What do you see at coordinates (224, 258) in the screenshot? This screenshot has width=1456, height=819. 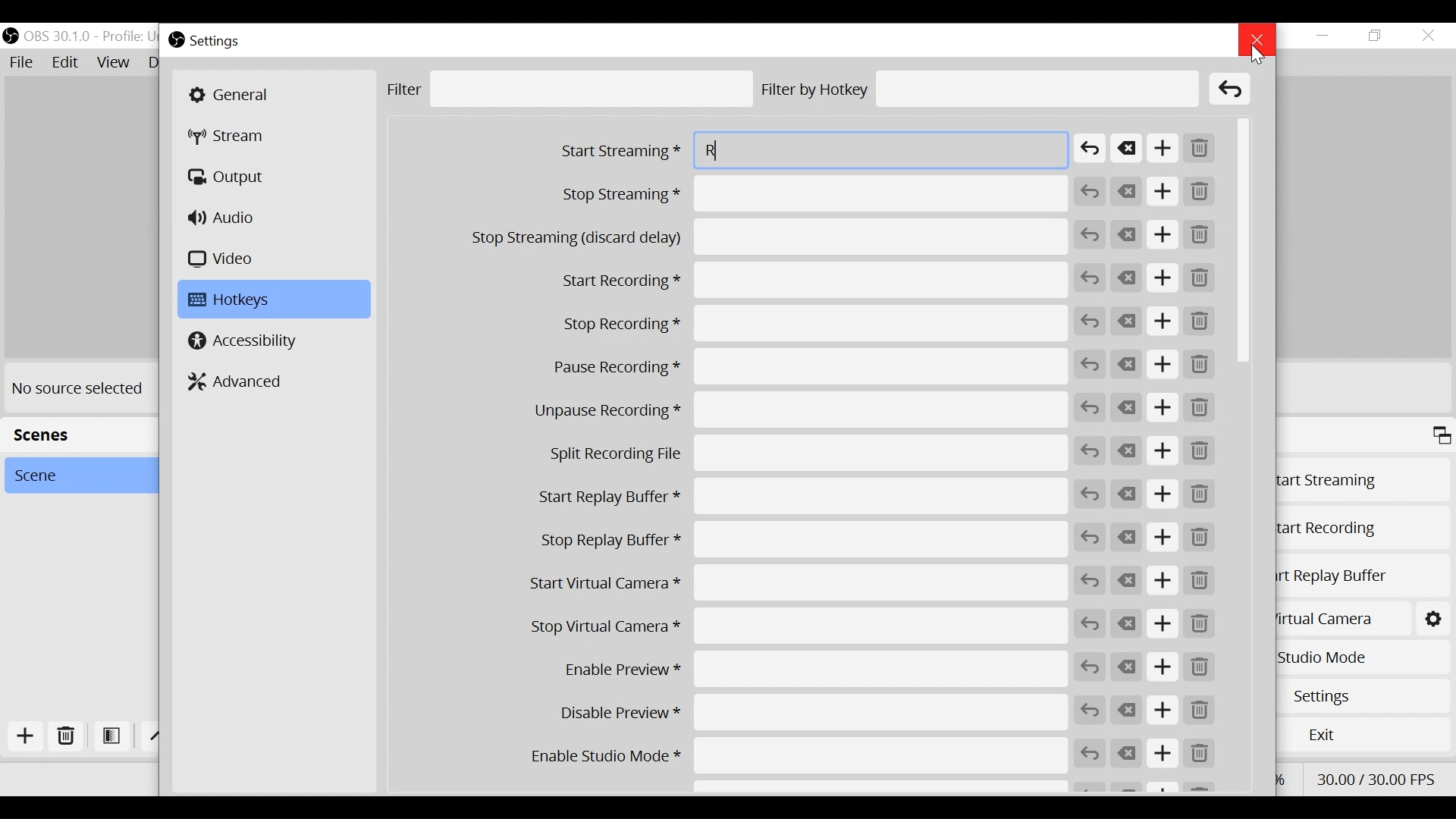 I see `Video` at bounding box center [224, 258].